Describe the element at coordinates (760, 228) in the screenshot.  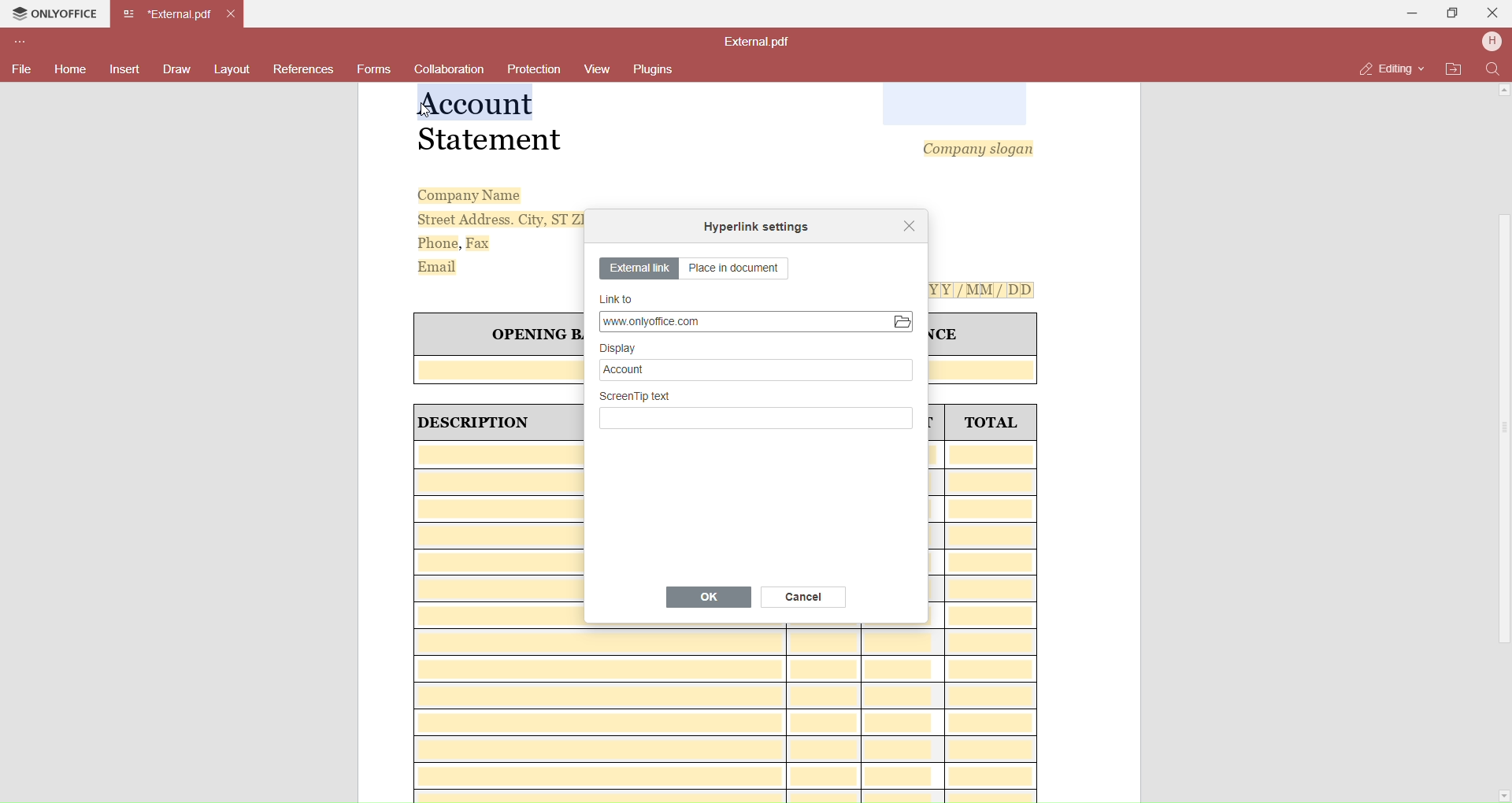
I see `Hyperlink setting` at that location.